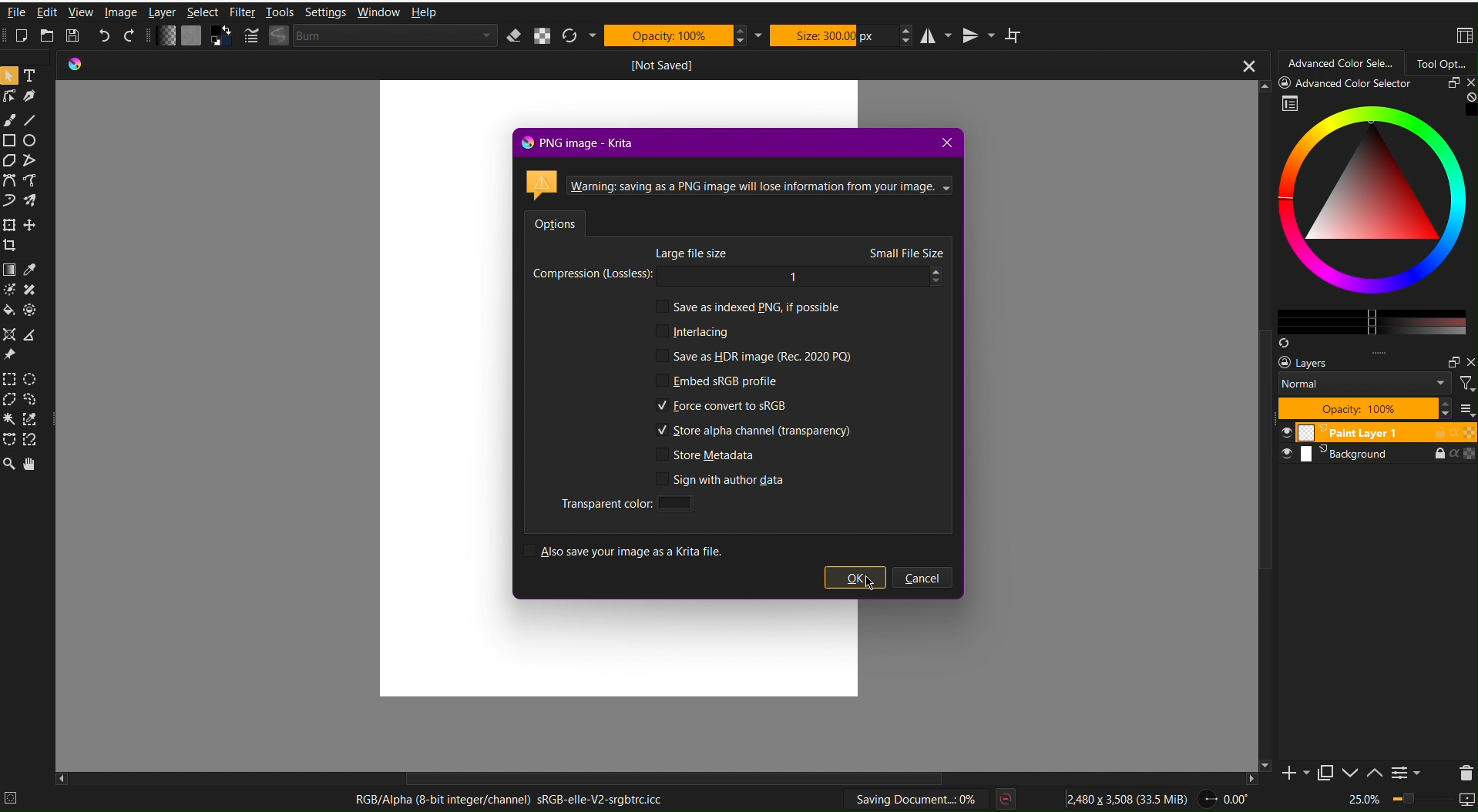 The width and height of the screenshot is (1478, 812). I want to click on Warning: saving as a PNG image will lose information from your image, so click(737, 181).